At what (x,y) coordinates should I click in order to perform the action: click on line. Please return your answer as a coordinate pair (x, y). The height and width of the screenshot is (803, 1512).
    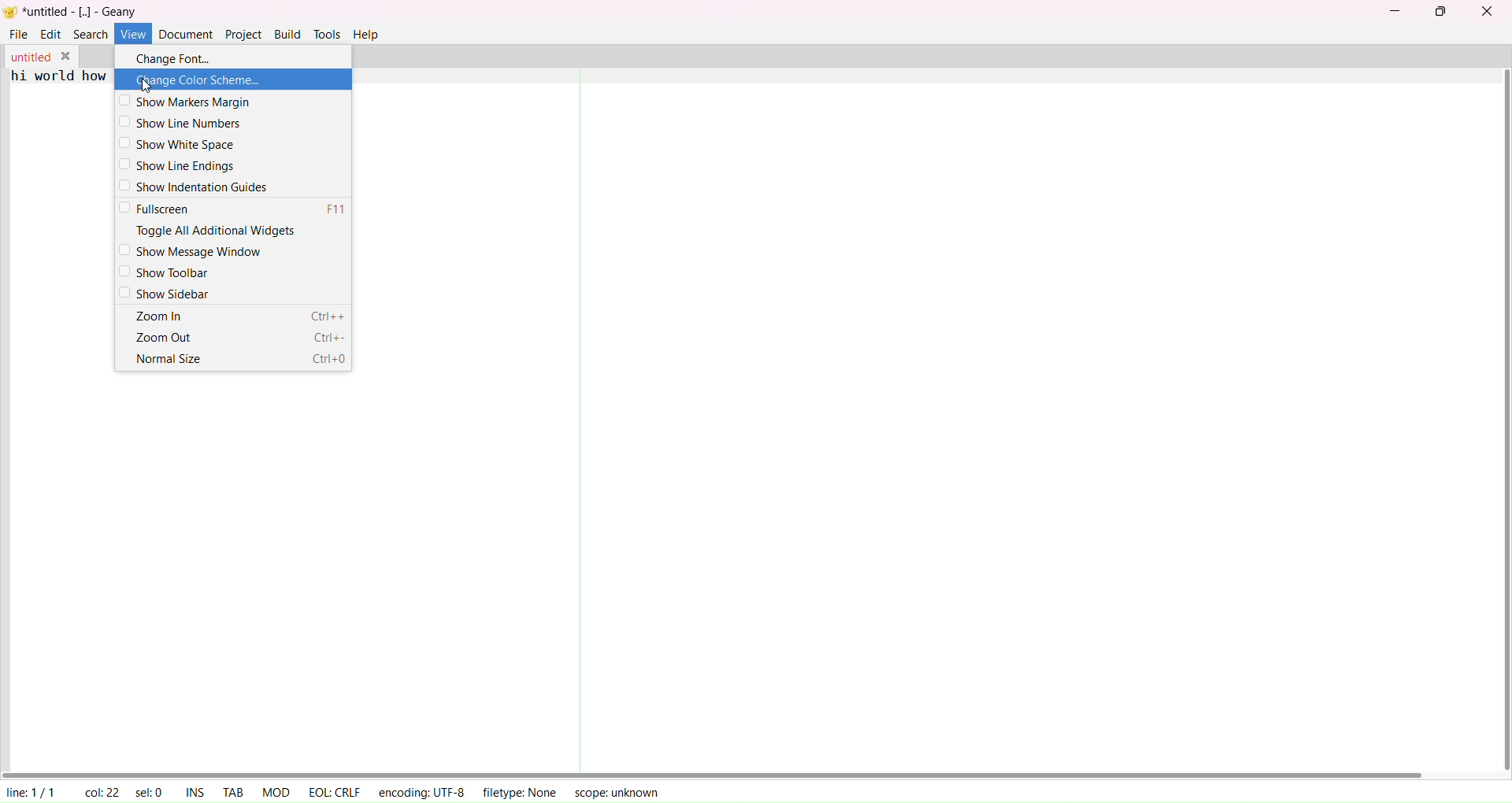
    Looking at the image, I should click on (30, 790).